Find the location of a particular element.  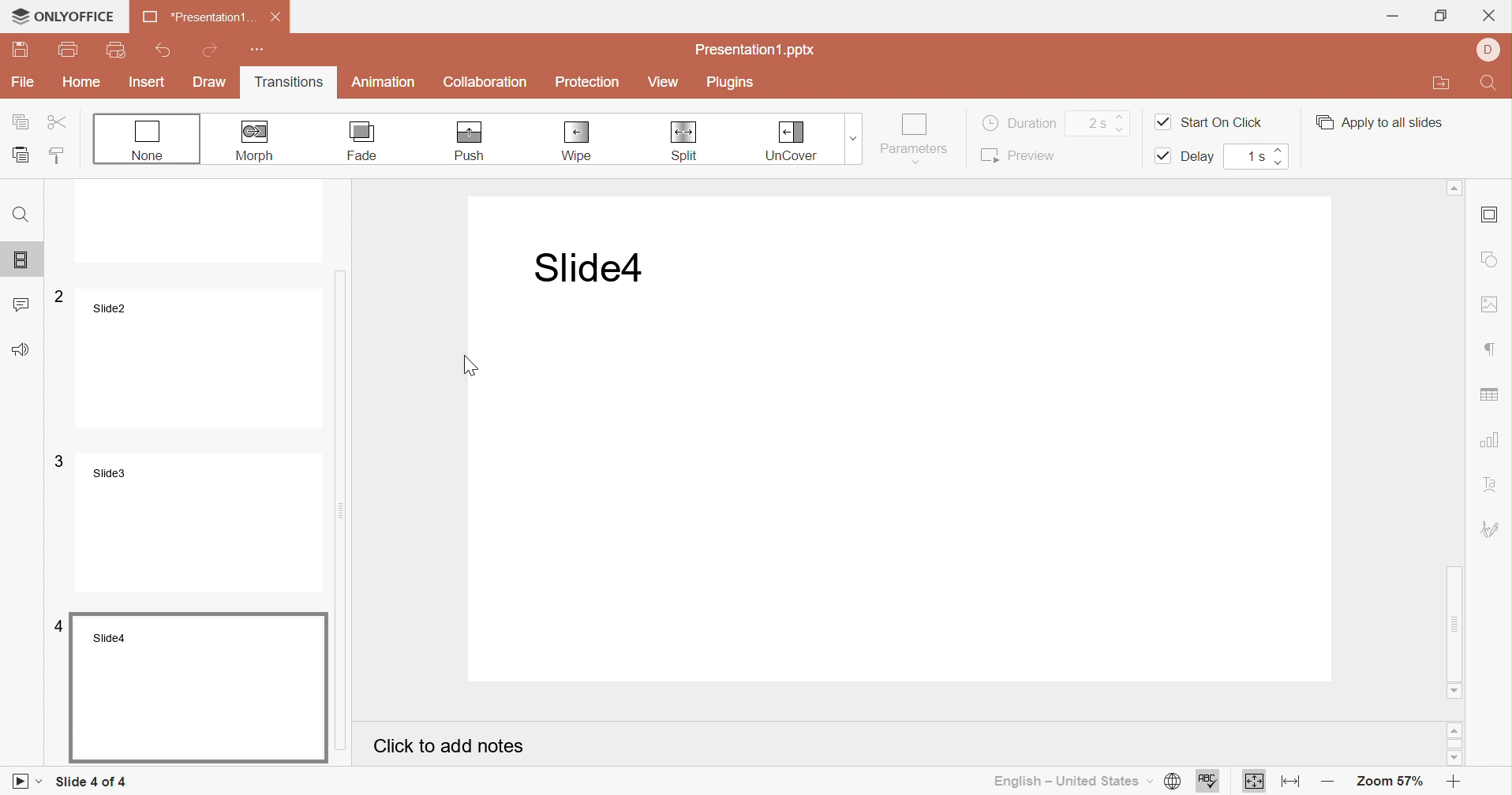

English - United States is located at coordinates (1071, 782).